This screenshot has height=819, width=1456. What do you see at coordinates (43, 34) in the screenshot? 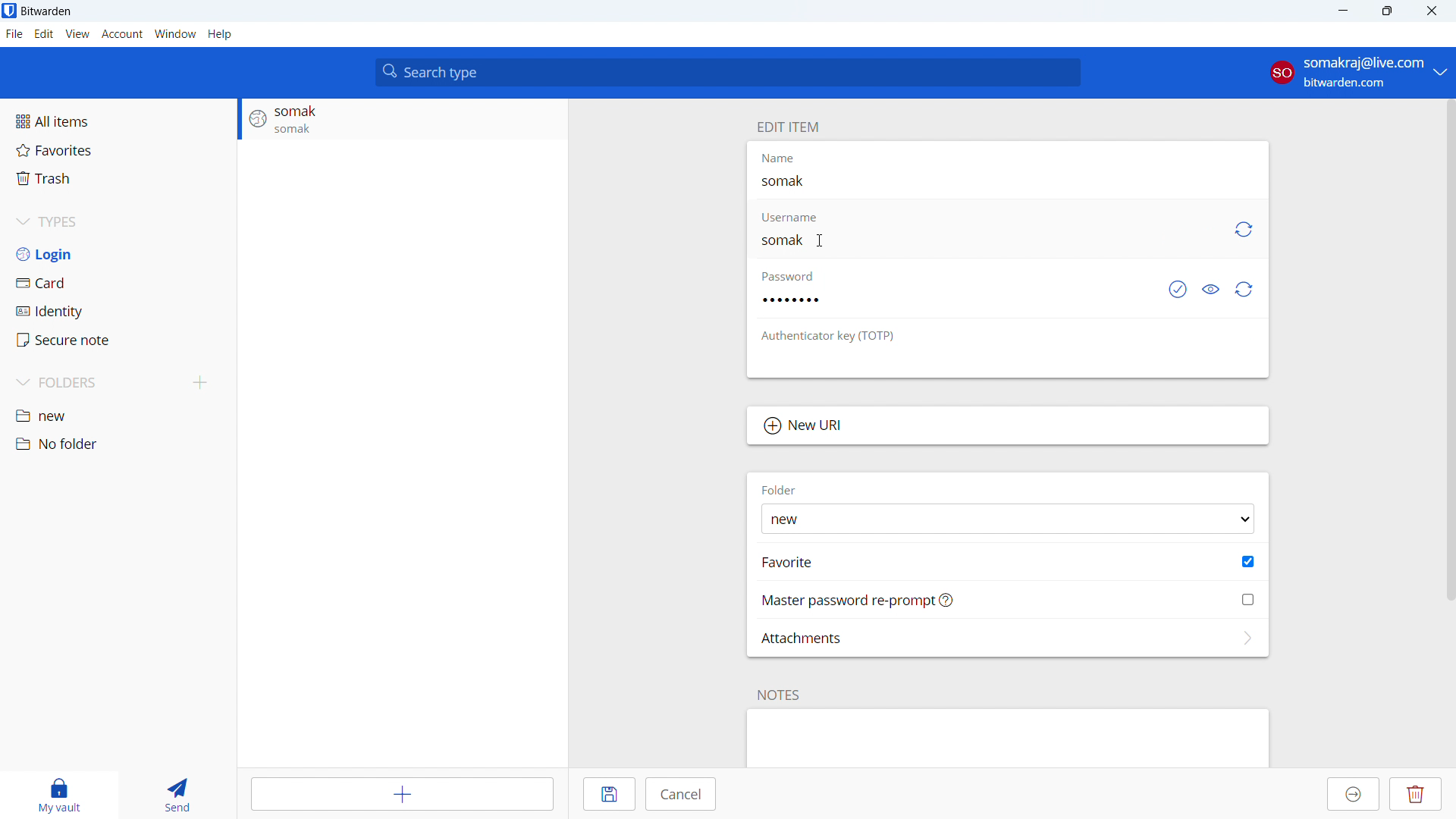
I see `edit` at bounding box center [43, 34].